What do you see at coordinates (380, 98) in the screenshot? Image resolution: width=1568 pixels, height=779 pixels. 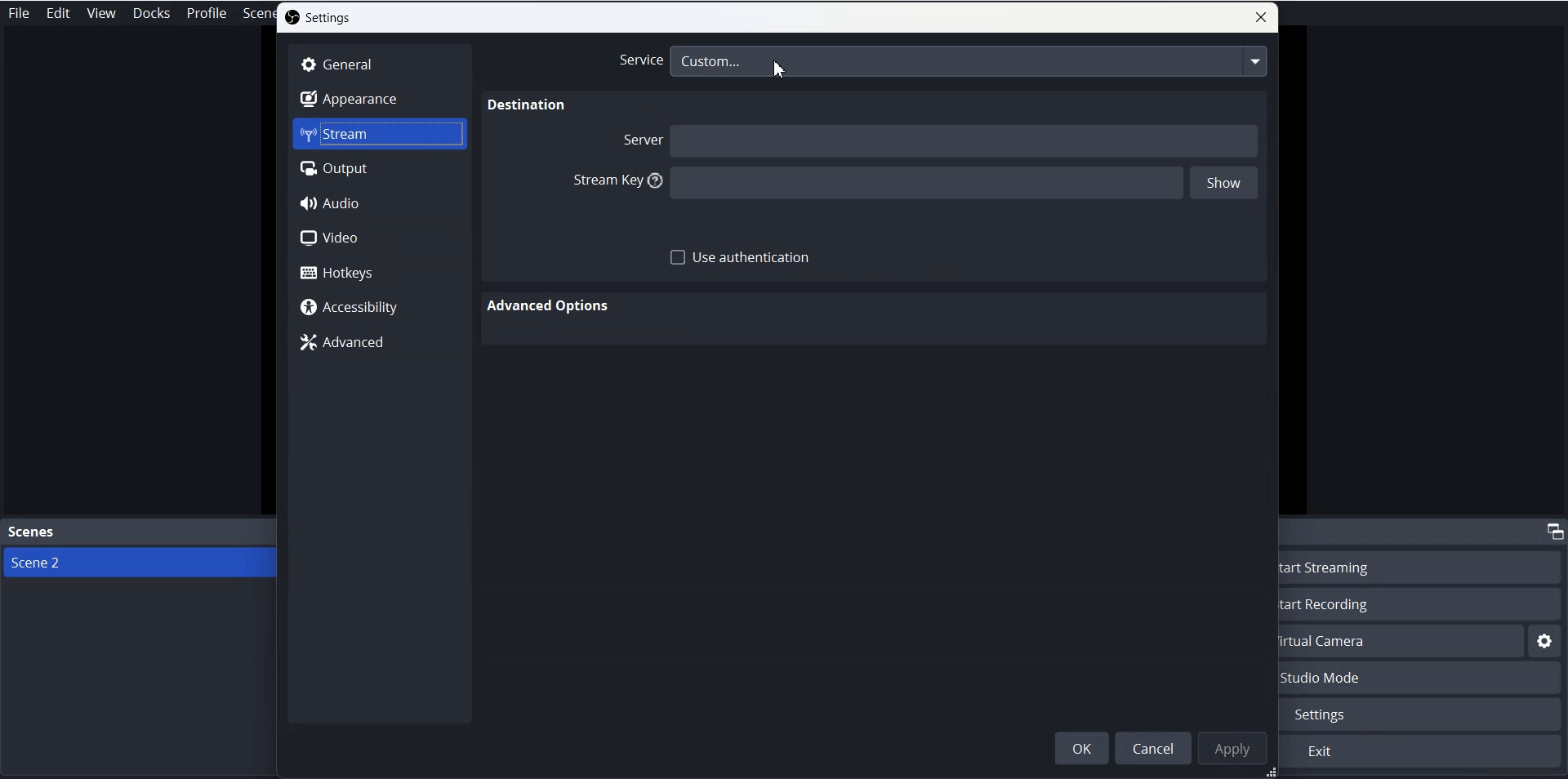 I see `Appearance` at bounding box center [380, 98].